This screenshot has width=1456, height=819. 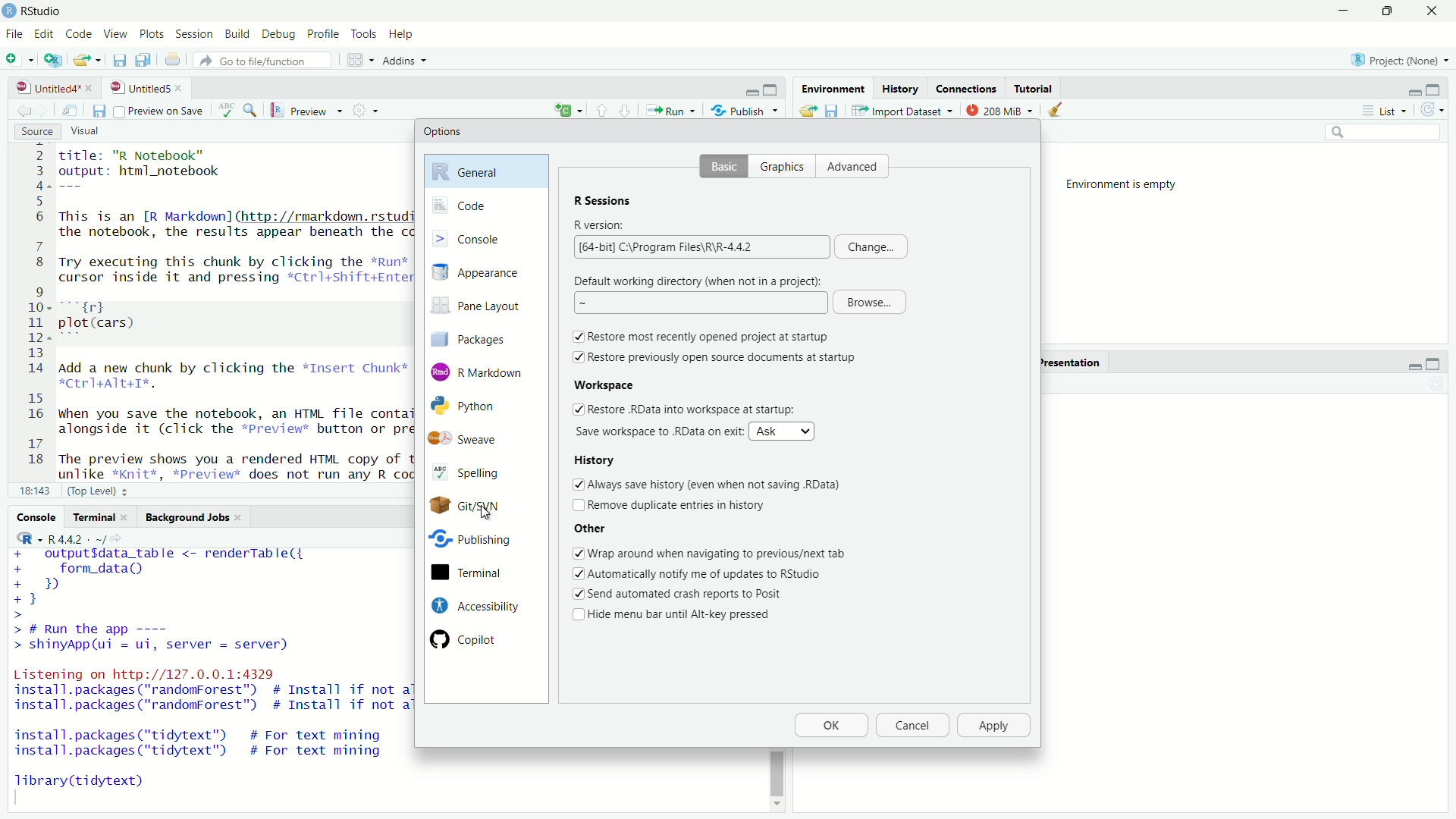 I want to click on Untitled4, so click(x=43, y=88).